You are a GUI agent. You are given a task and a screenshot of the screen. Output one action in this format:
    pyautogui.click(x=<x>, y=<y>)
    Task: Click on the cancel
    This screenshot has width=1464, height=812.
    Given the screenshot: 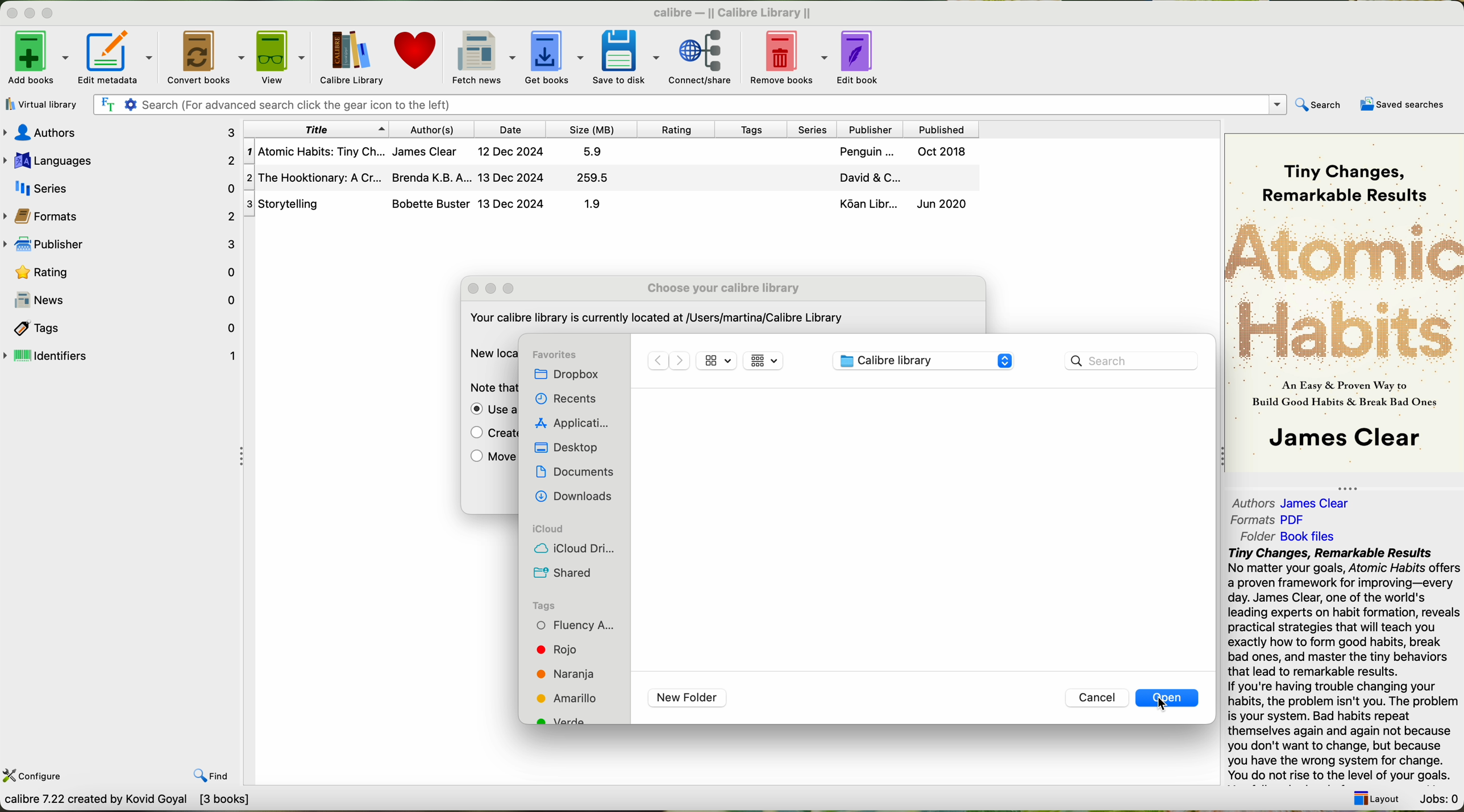 What is the action you would take?
    pyautogui.click(x=1097, y=697)
    